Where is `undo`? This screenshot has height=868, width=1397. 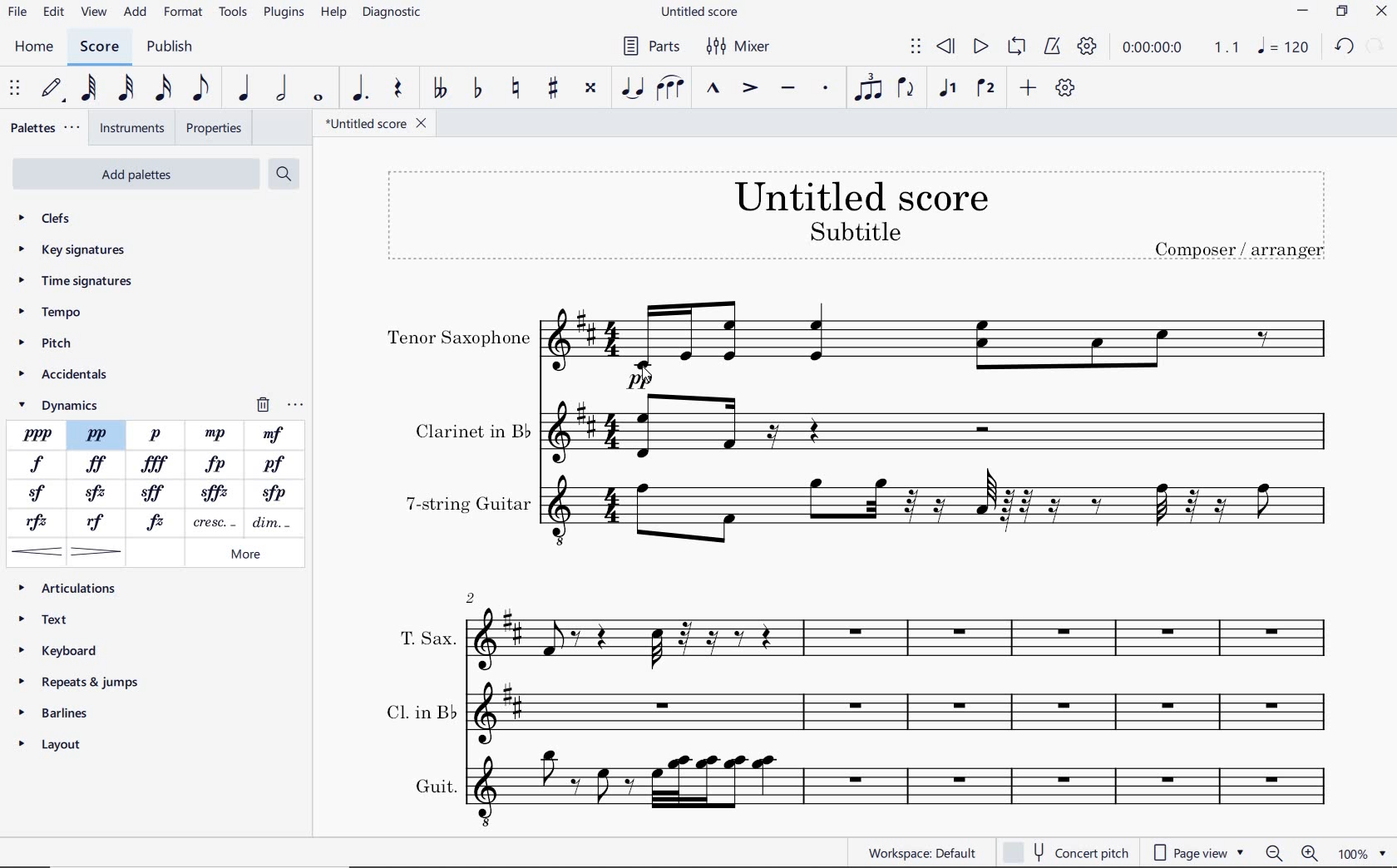 undo is located at coordinates (1345, 47).